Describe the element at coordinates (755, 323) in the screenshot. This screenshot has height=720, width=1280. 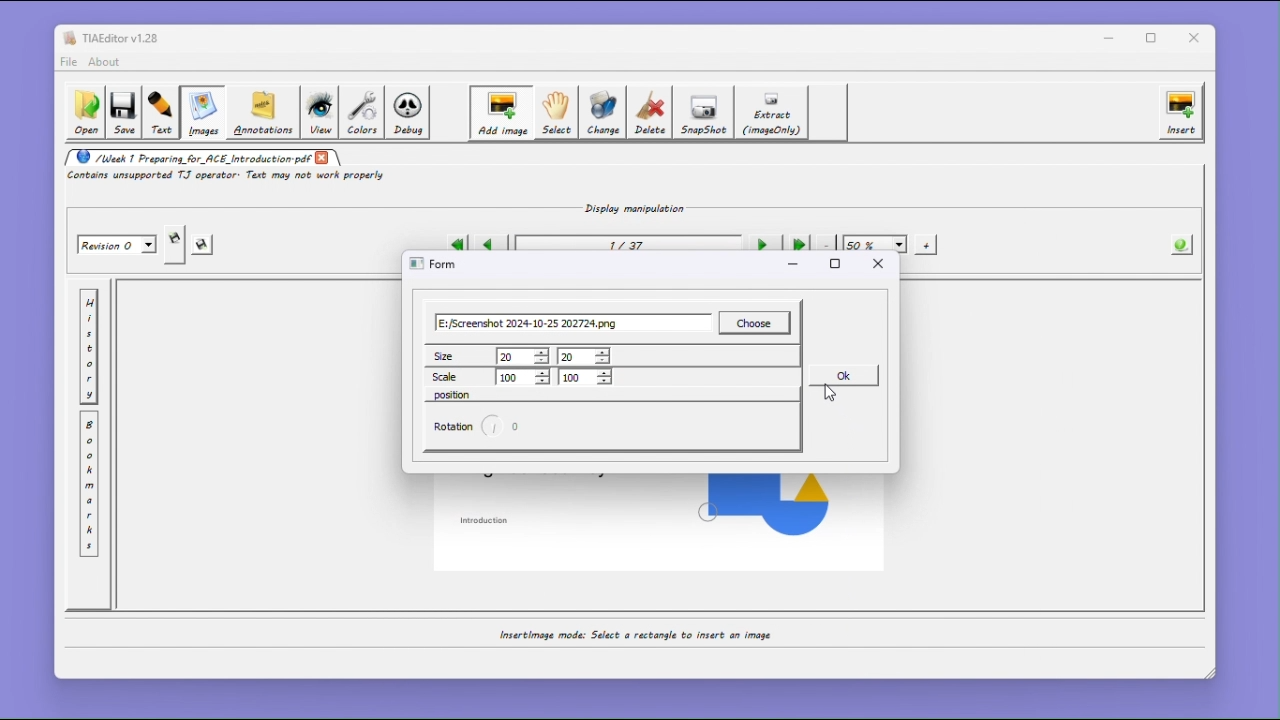
I see `choose` at that location.